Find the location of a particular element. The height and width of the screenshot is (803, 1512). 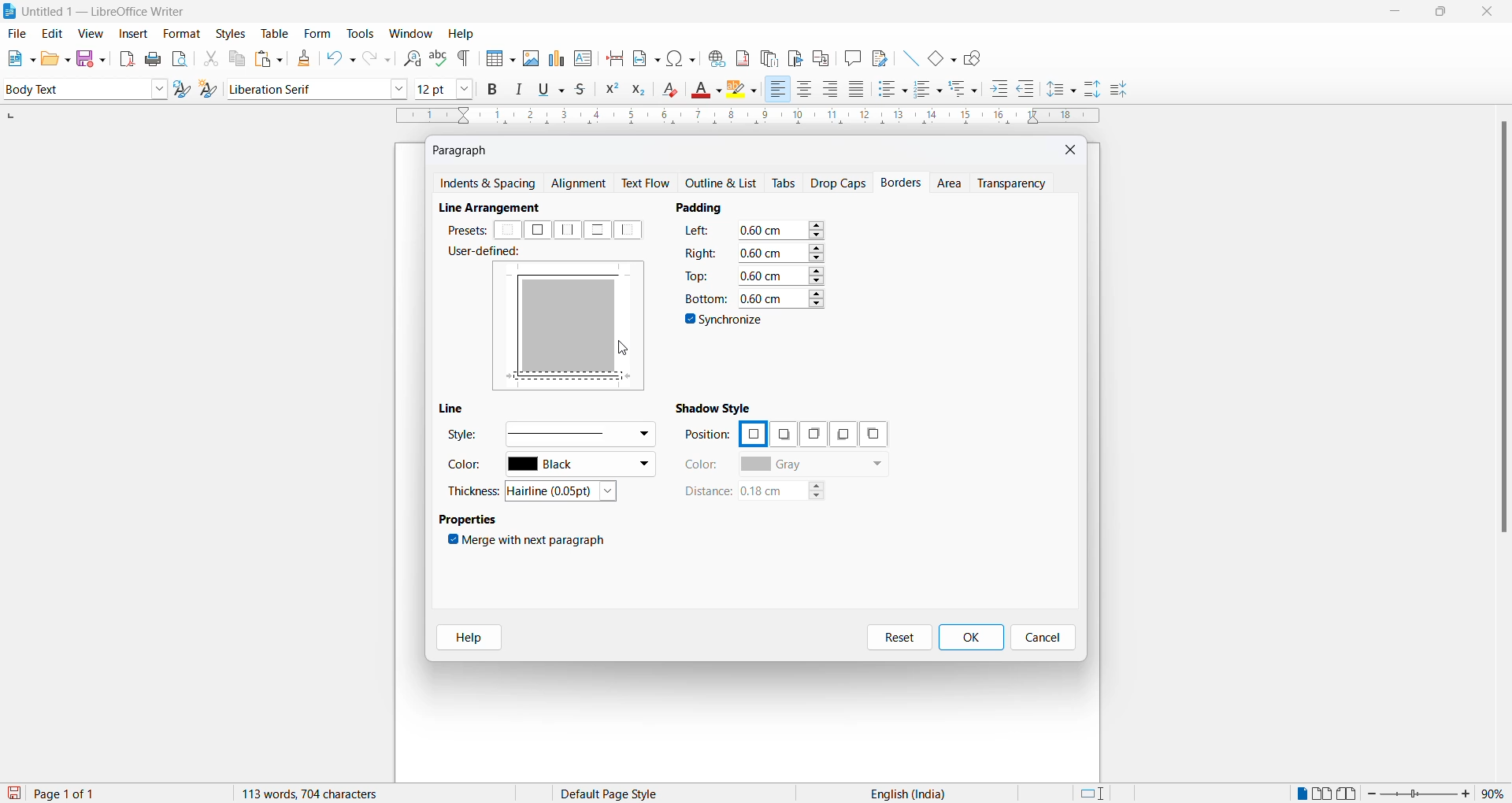

indent and spacing is located at coordinates (489, 184).